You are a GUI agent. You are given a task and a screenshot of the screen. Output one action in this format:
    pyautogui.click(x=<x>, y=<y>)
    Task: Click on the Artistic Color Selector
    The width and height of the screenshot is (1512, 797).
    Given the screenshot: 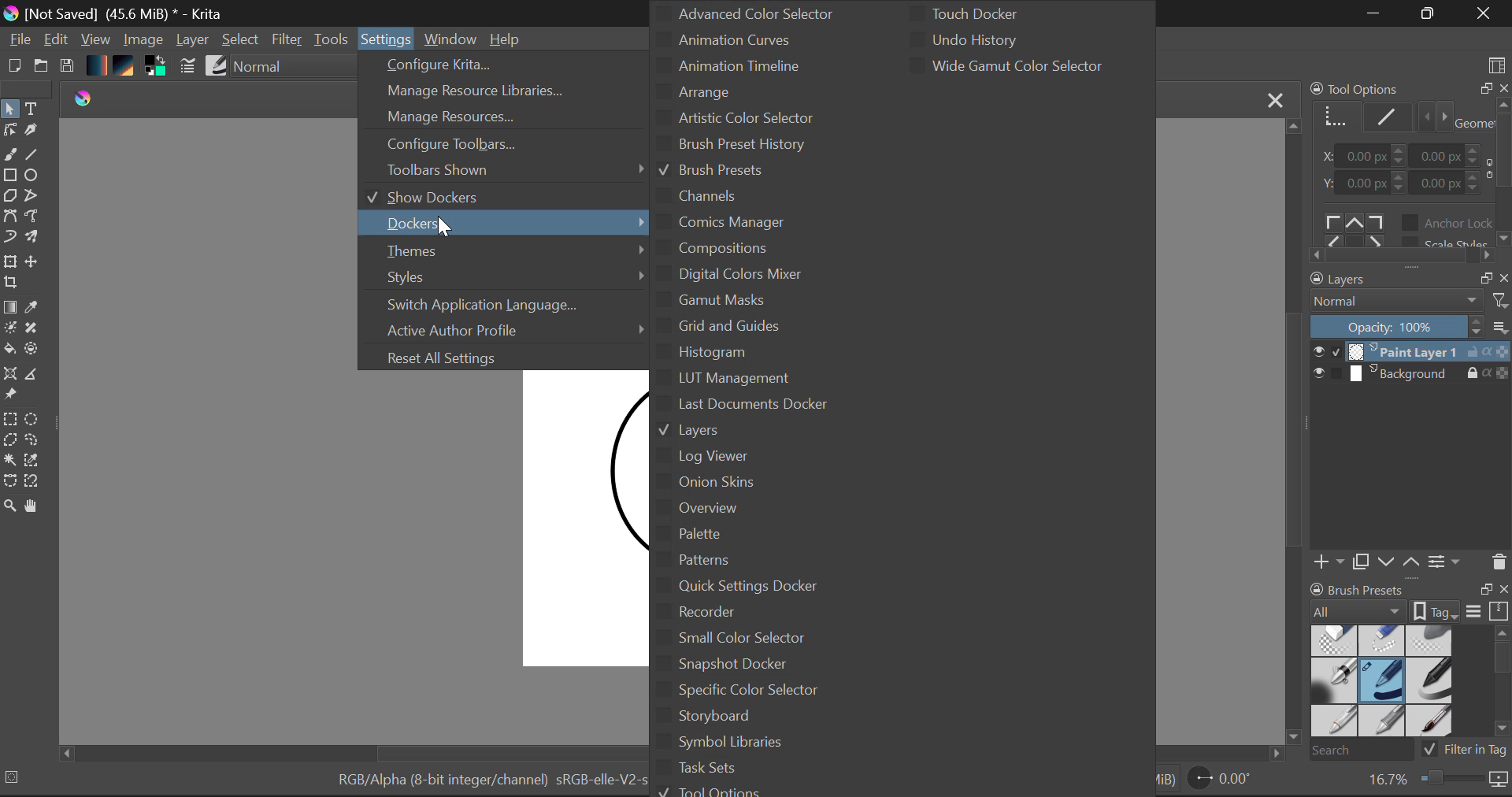 What is the action you would take?
    pyautogui.click(x=743, y=120)
    